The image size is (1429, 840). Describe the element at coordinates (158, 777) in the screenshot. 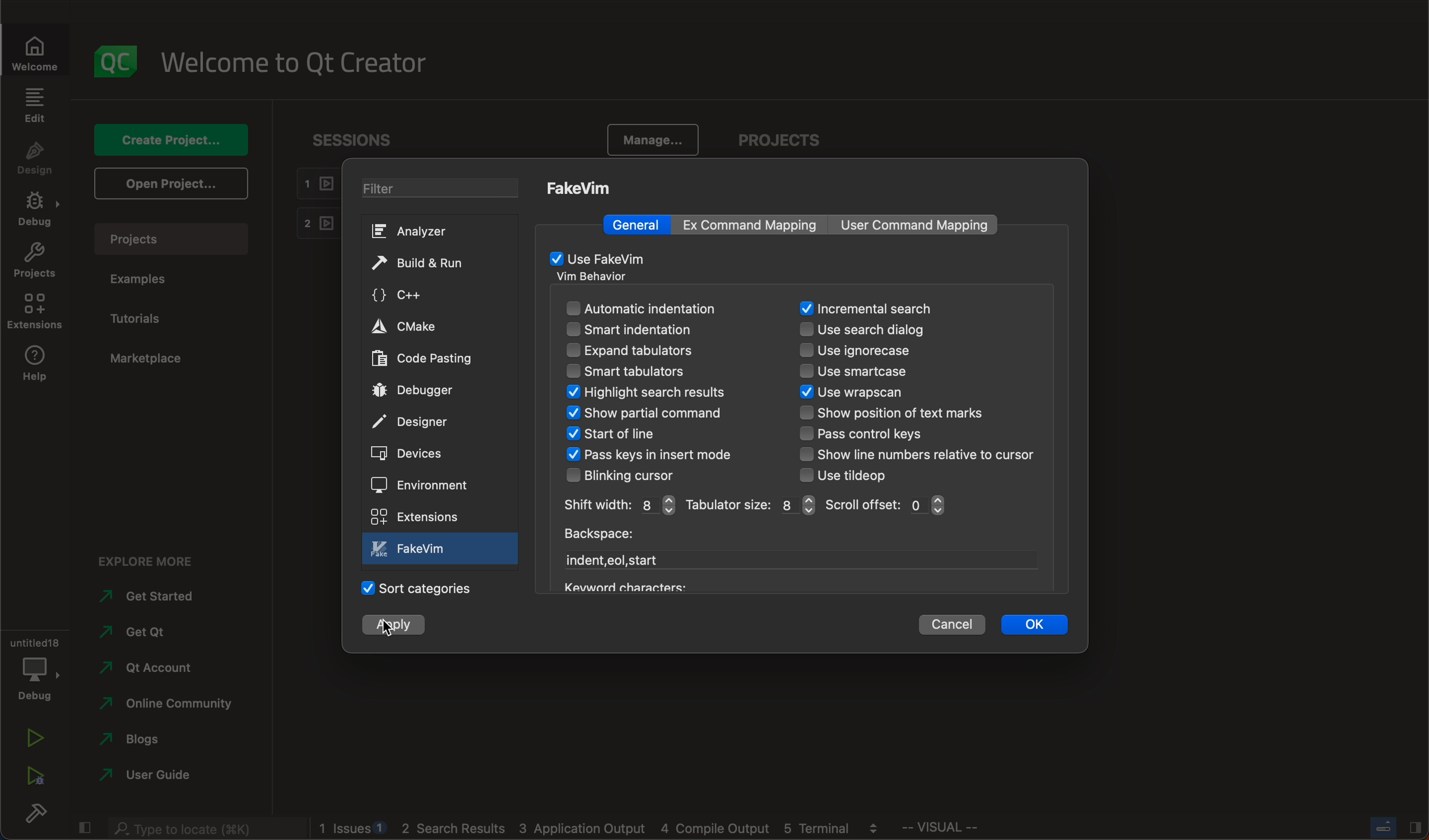

I see `user guide` at that location.